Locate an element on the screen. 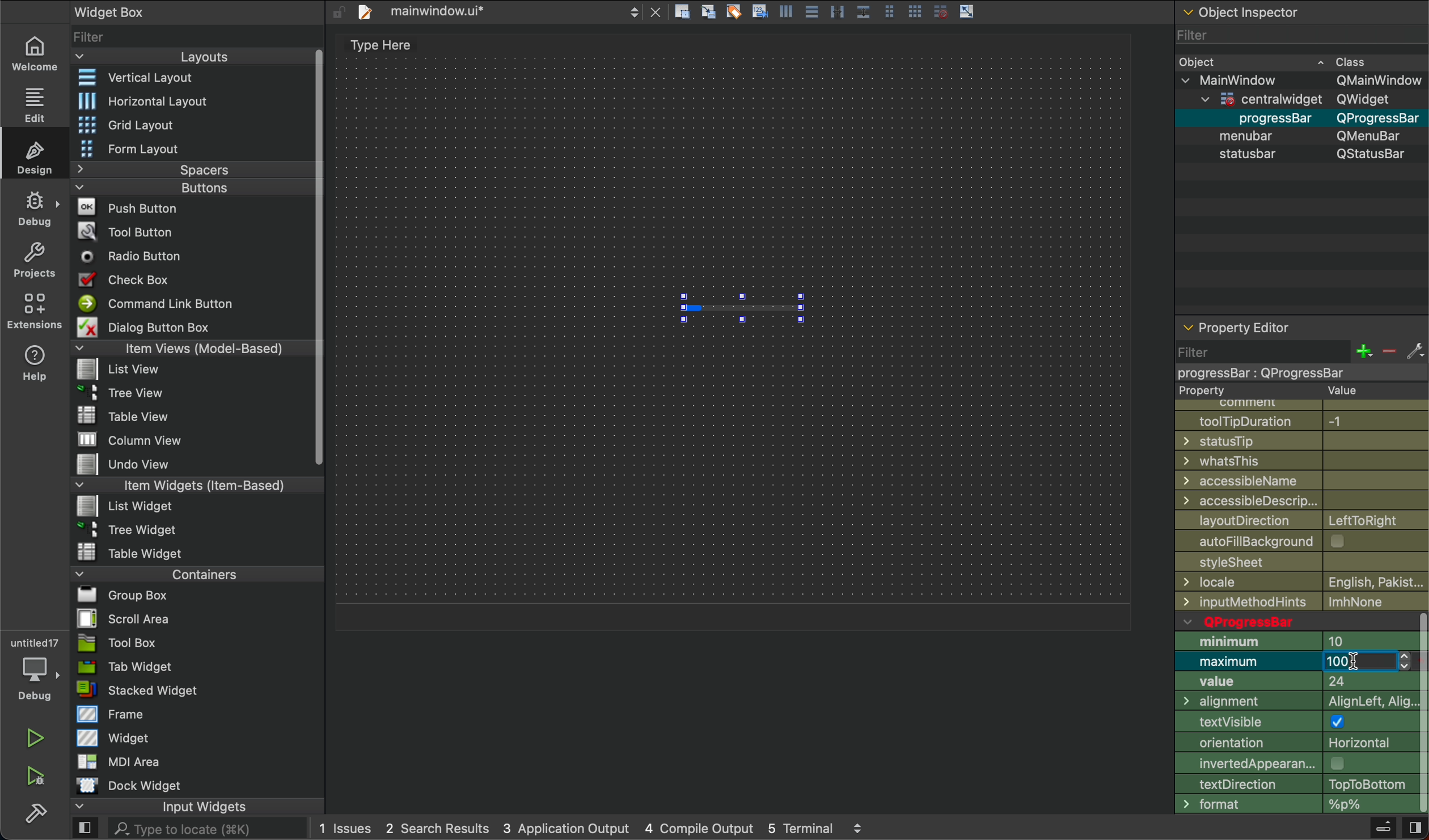 The image size is (1429, 840). debug is located at coordinates (36, 209).